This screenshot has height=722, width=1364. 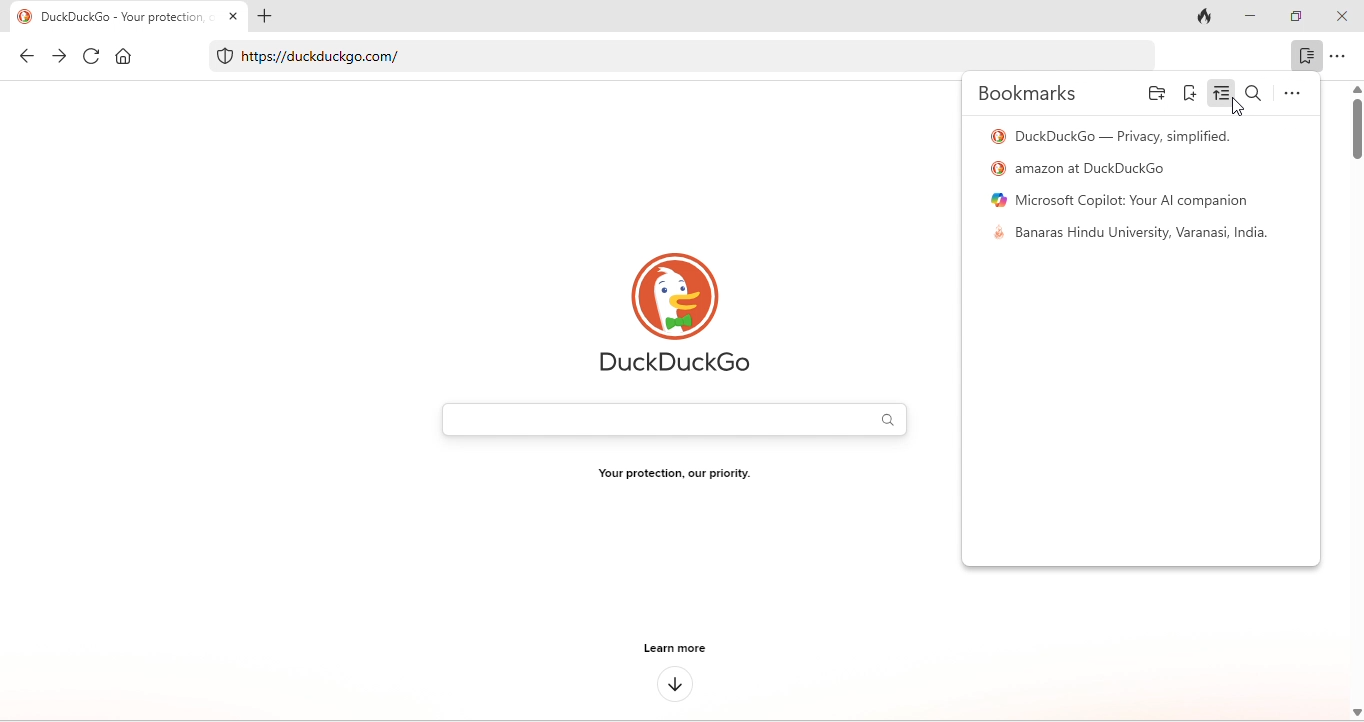 I want to click on amazon at duck duck go, so click(x=1082, y=168).